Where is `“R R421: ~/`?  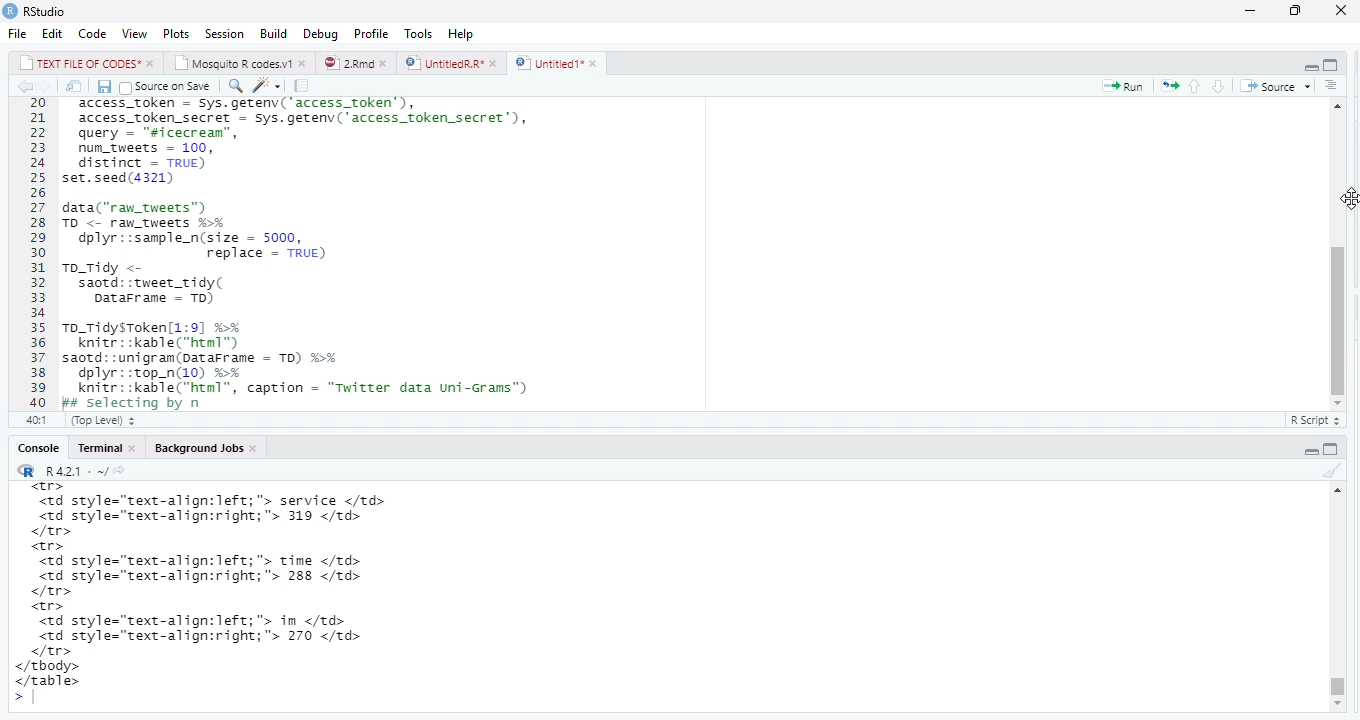
“R R421: ~/ is located at coordinates (79, 469).